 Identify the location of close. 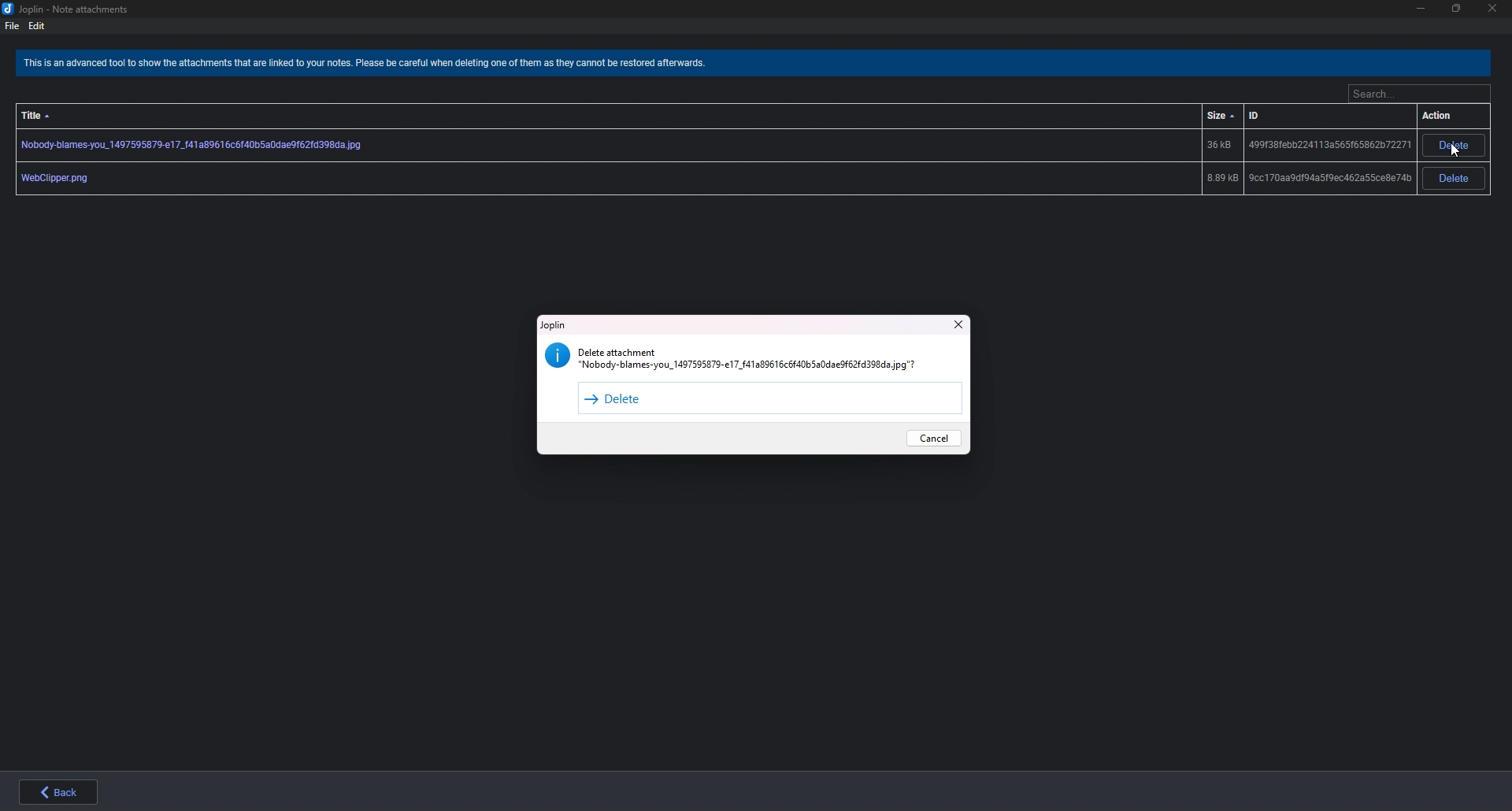
(1493, 9).